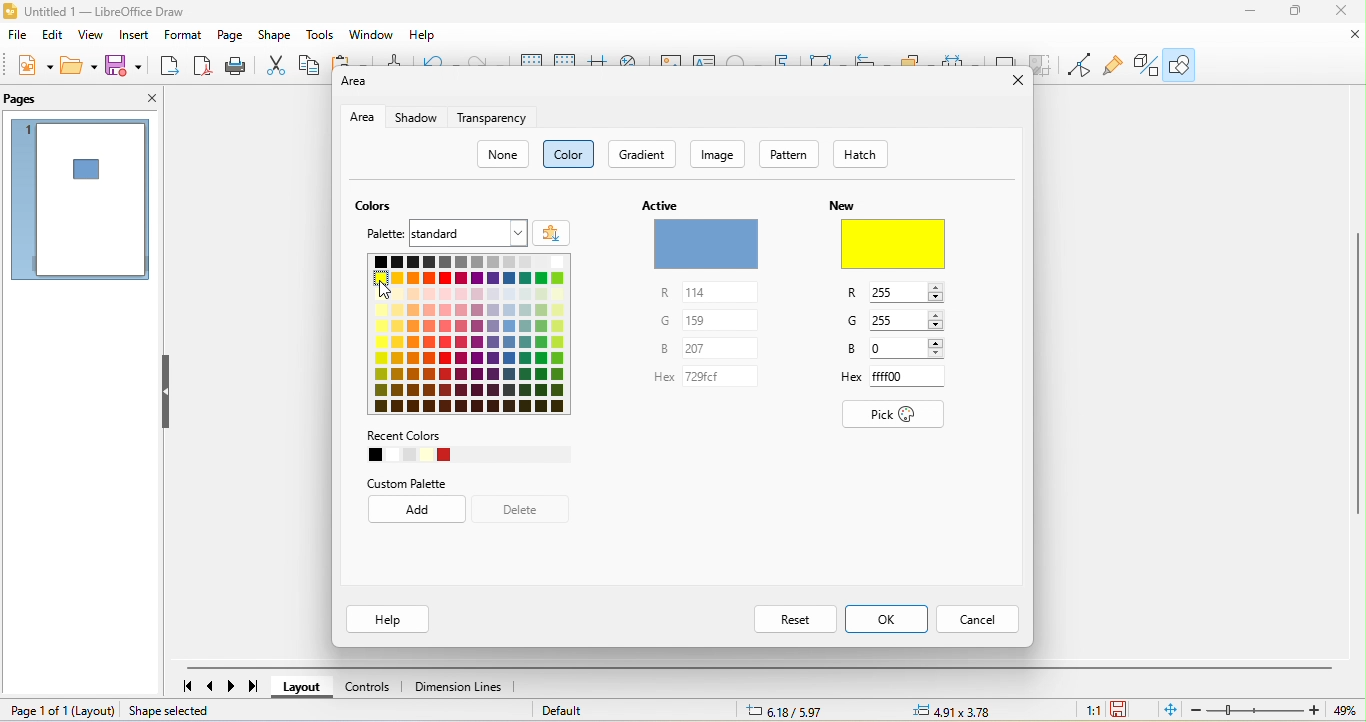 This screenshot has height=722, width=1366. I want to click on open, so click(82, 64).